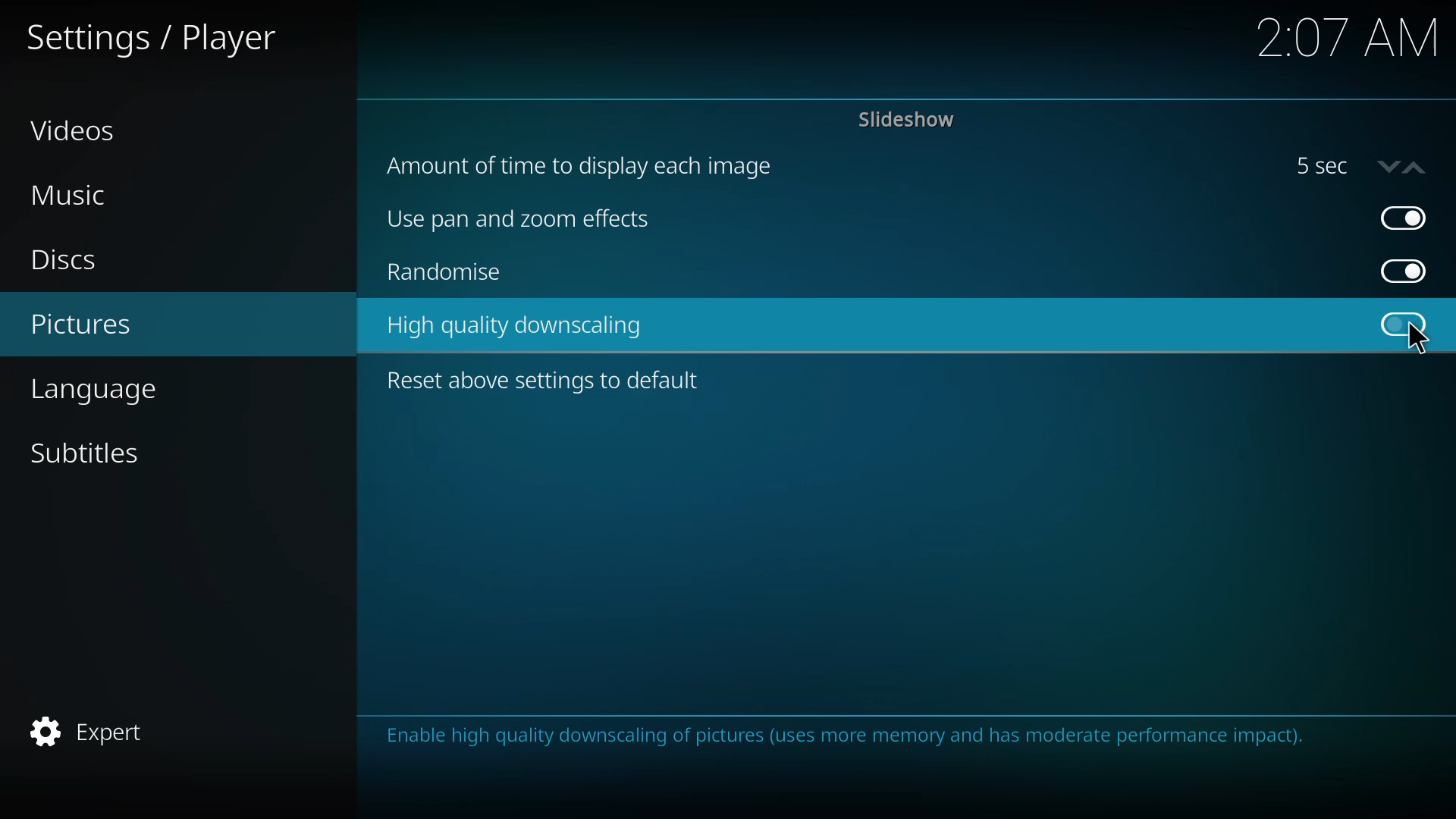 This screenshot has height=819, width=1456. Describe the element at coordinates (71, 195) in the screenshot. I see `music` at that location.